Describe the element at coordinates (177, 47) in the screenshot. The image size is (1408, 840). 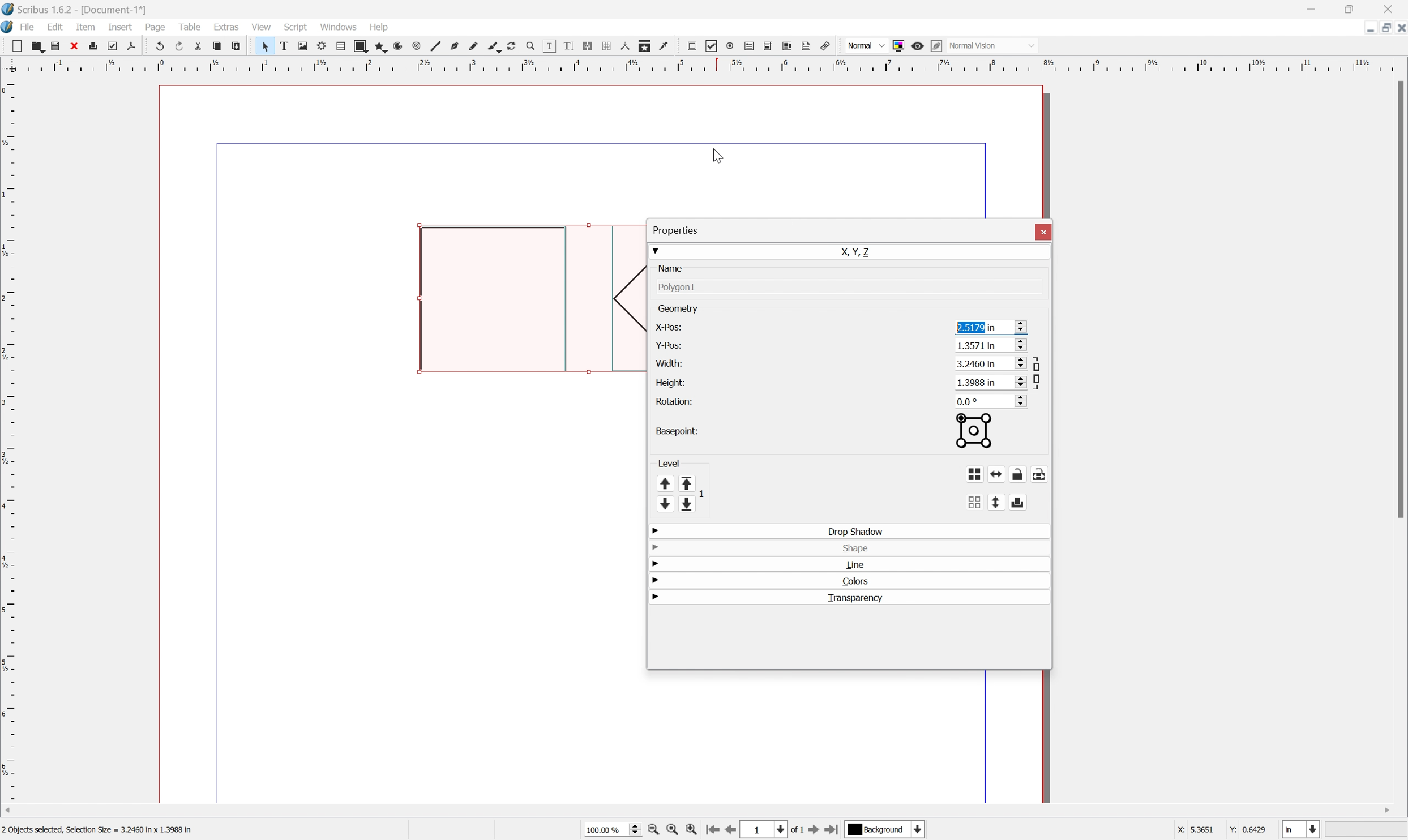
I see `redo` at that location.